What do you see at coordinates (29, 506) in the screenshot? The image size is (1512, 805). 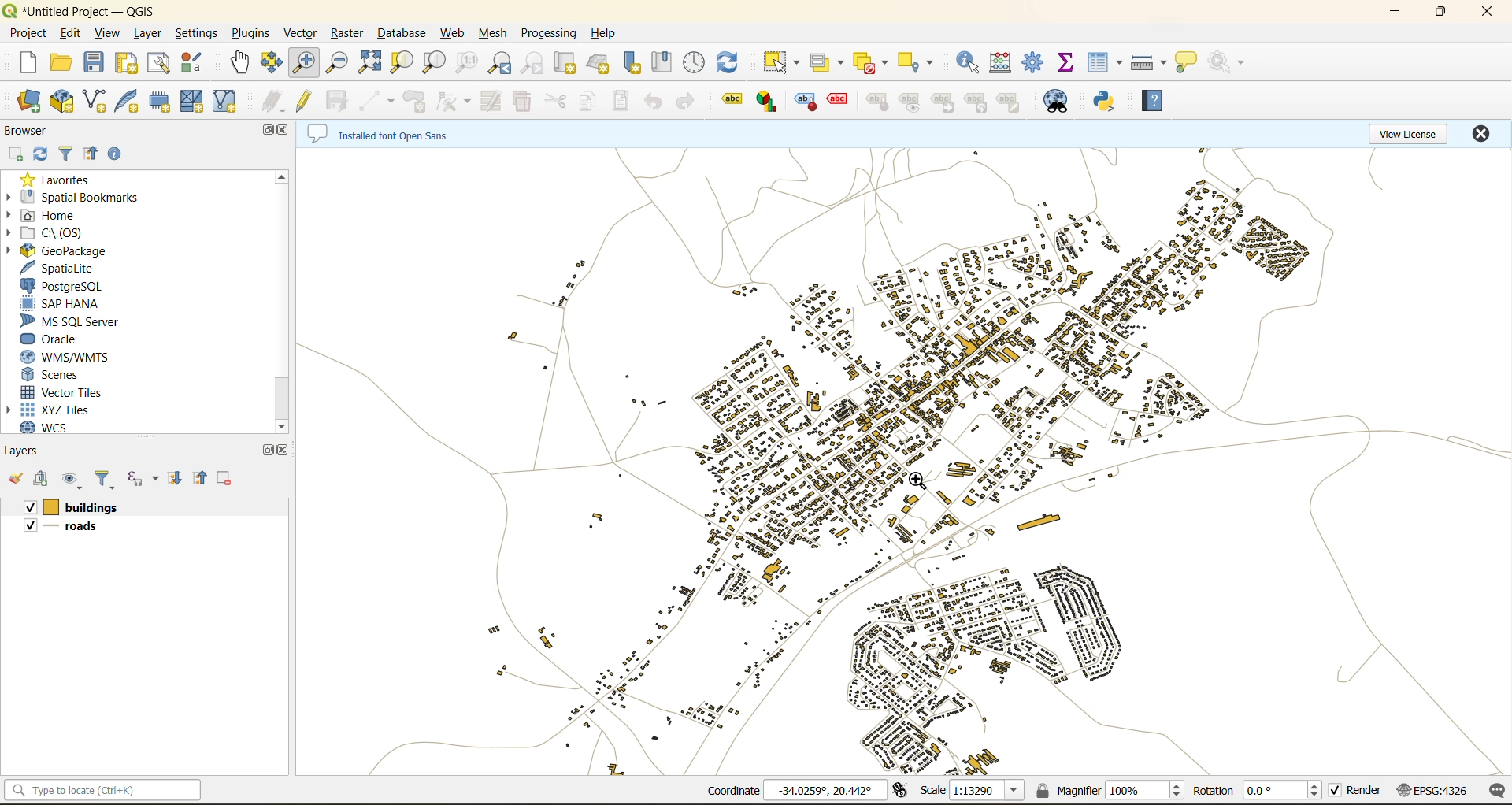 I see `Checkbox` at bounding box center [29, 506].